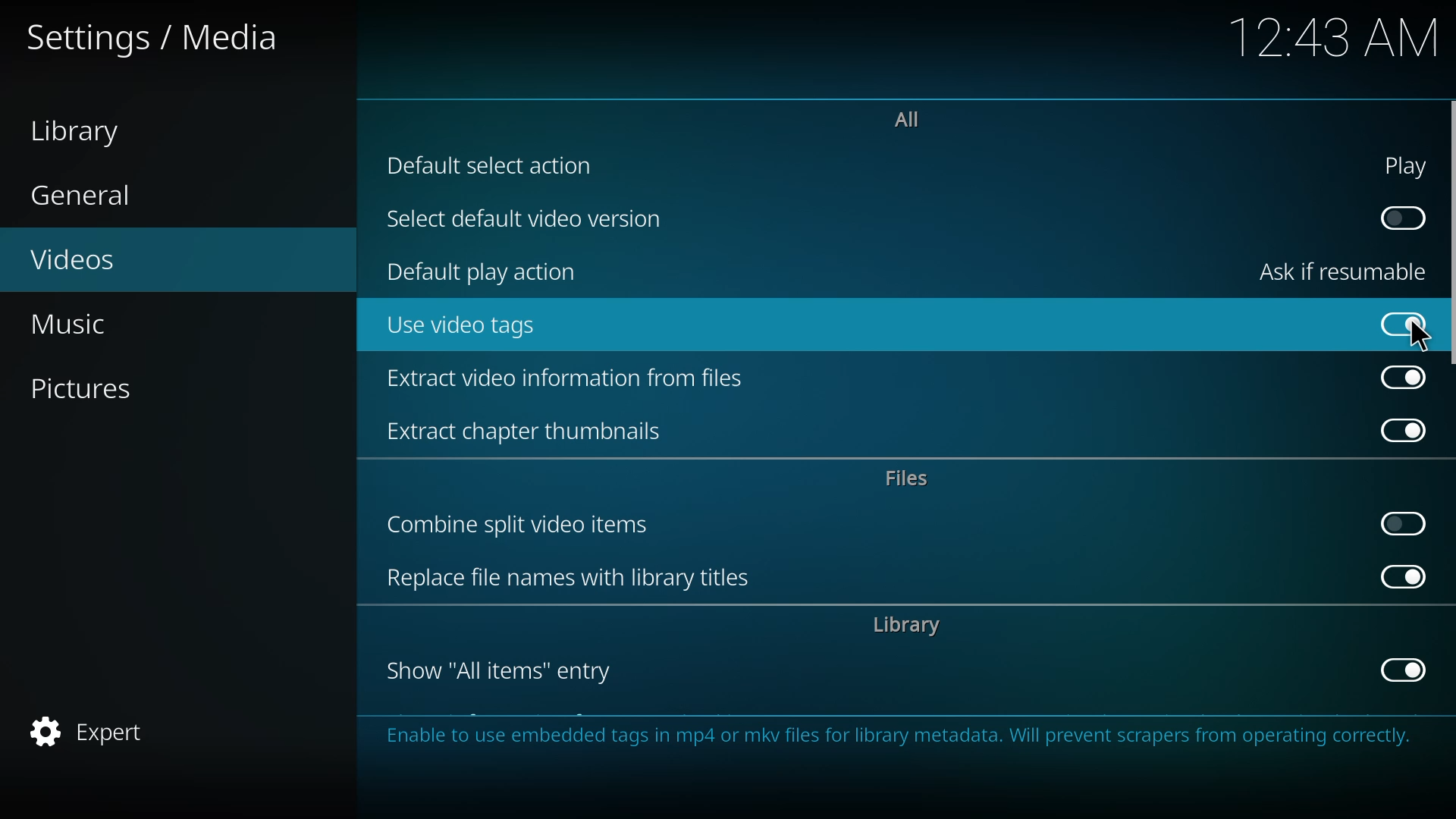  I want to click on enabled, so click(1403, 576).